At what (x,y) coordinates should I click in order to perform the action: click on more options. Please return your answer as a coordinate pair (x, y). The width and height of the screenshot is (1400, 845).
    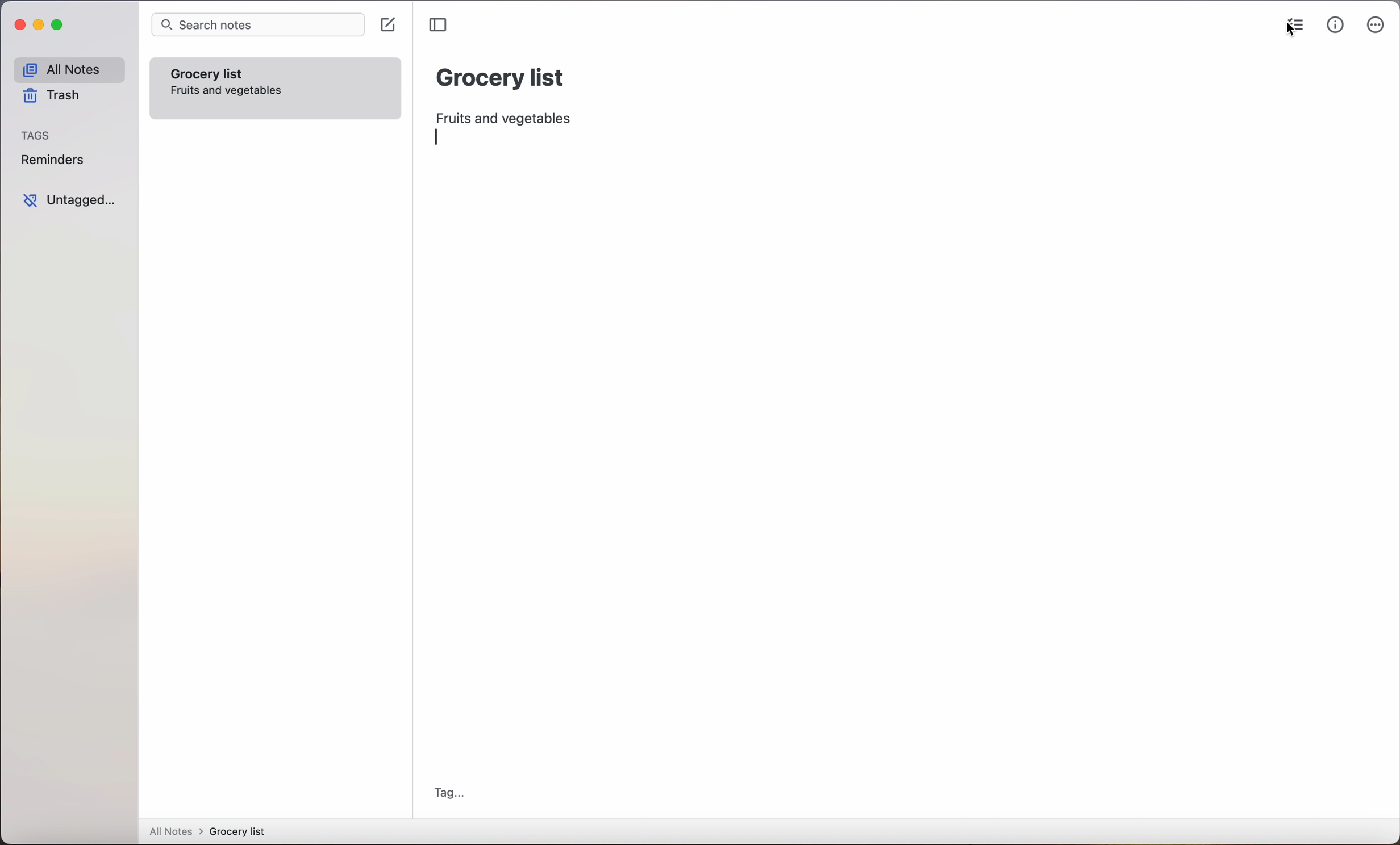
    Looking at the image, I should click on (1376, 27).